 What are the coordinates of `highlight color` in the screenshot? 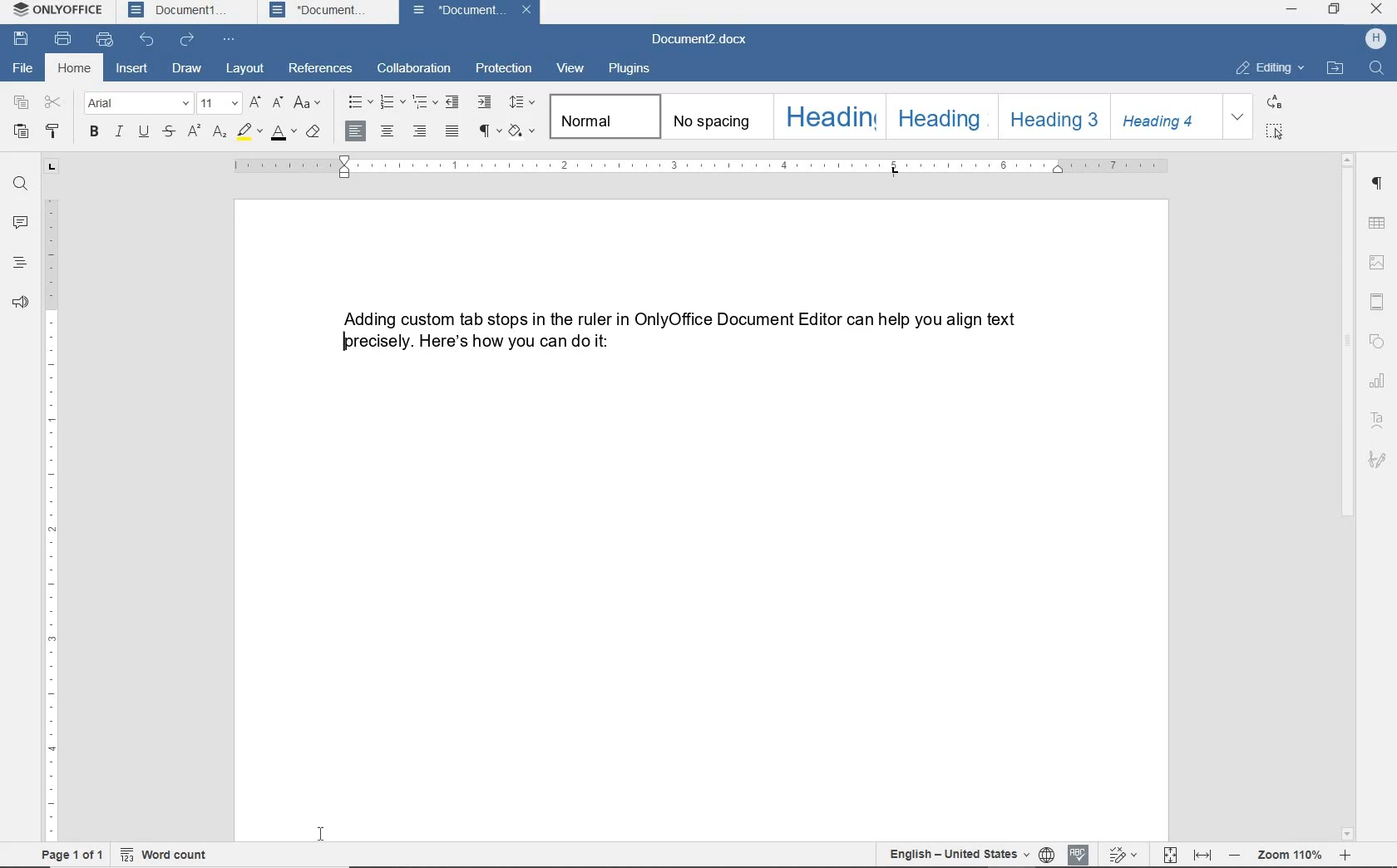 It's located at (249, 133).